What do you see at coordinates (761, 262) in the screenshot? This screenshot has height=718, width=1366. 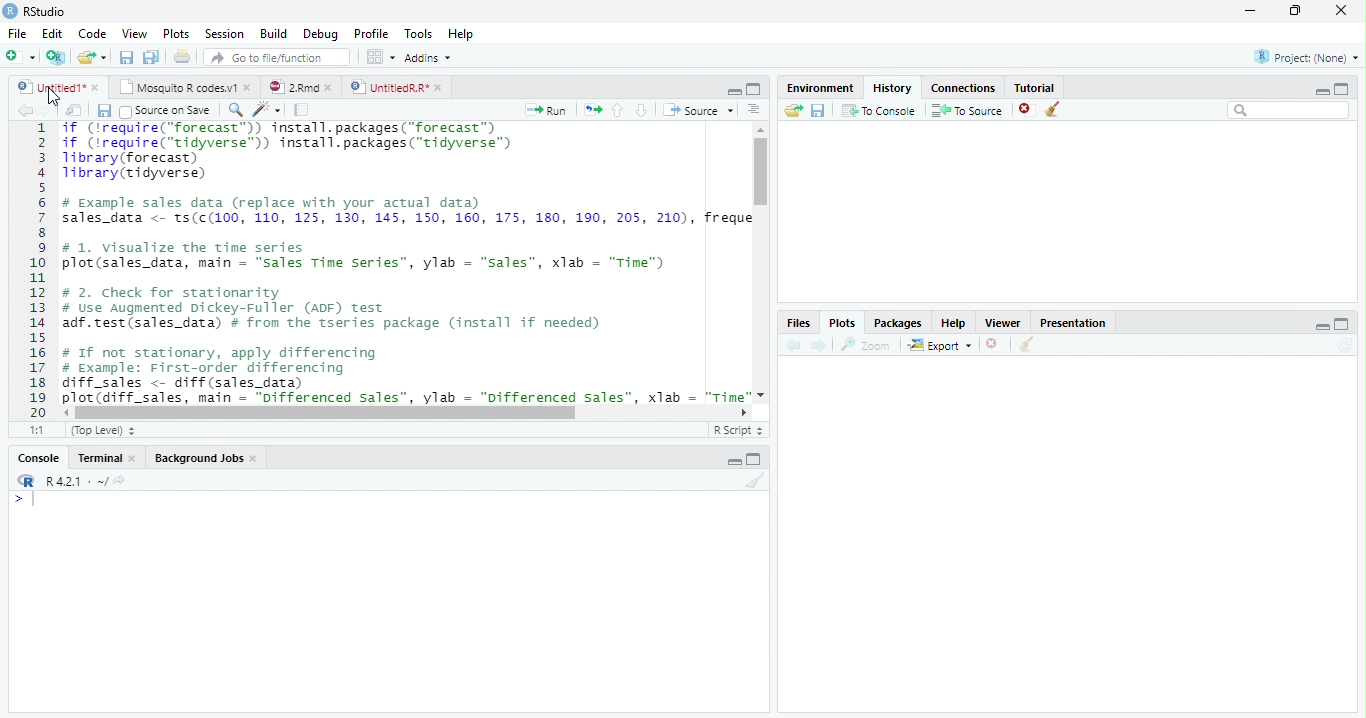 I see `Scroll` at bounding box center [761, 262].